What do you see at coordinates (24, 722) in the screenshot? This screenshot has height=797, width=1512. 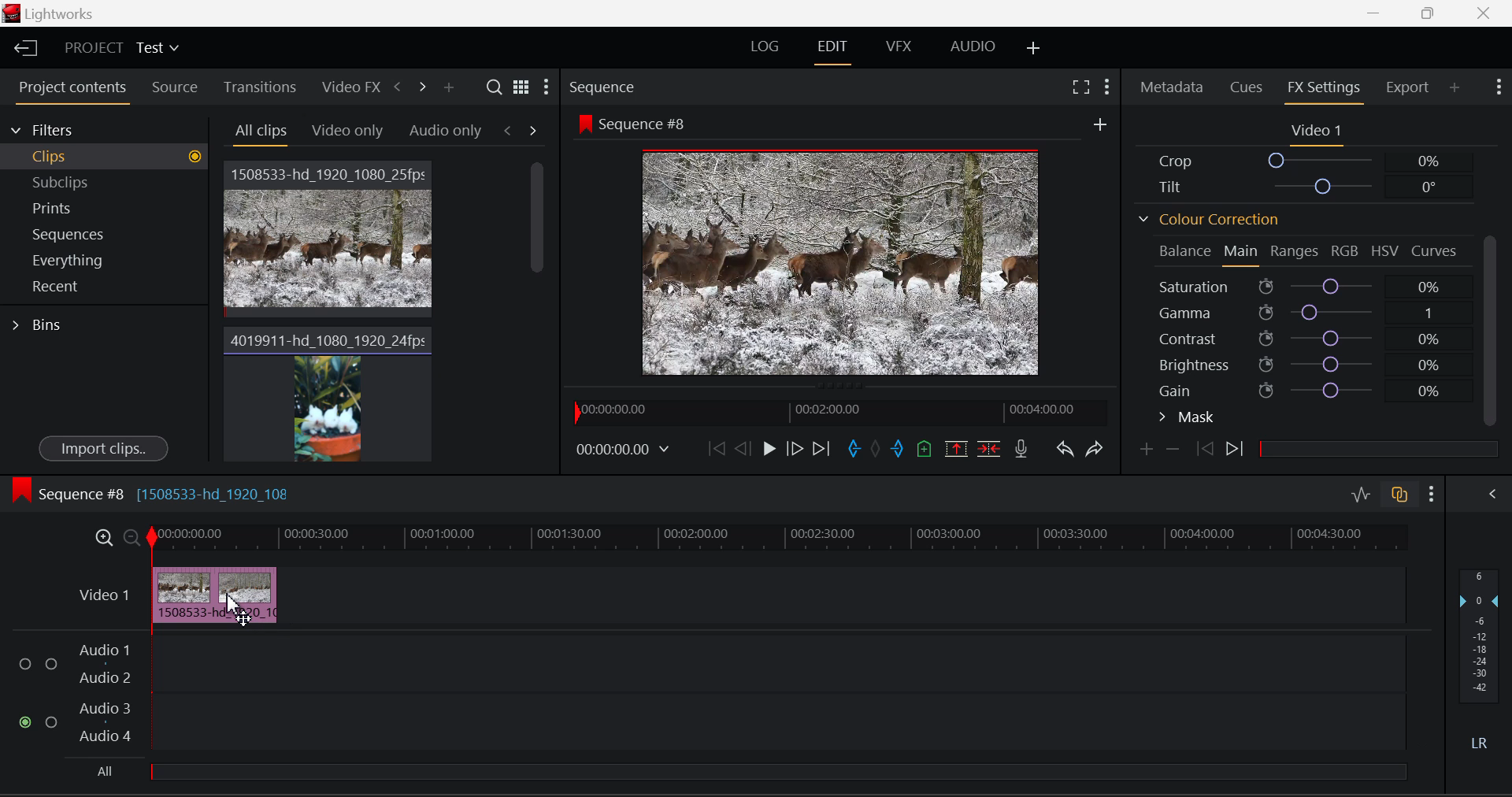 I see `Audio Input checkbox` at bounding box center [24, 722].